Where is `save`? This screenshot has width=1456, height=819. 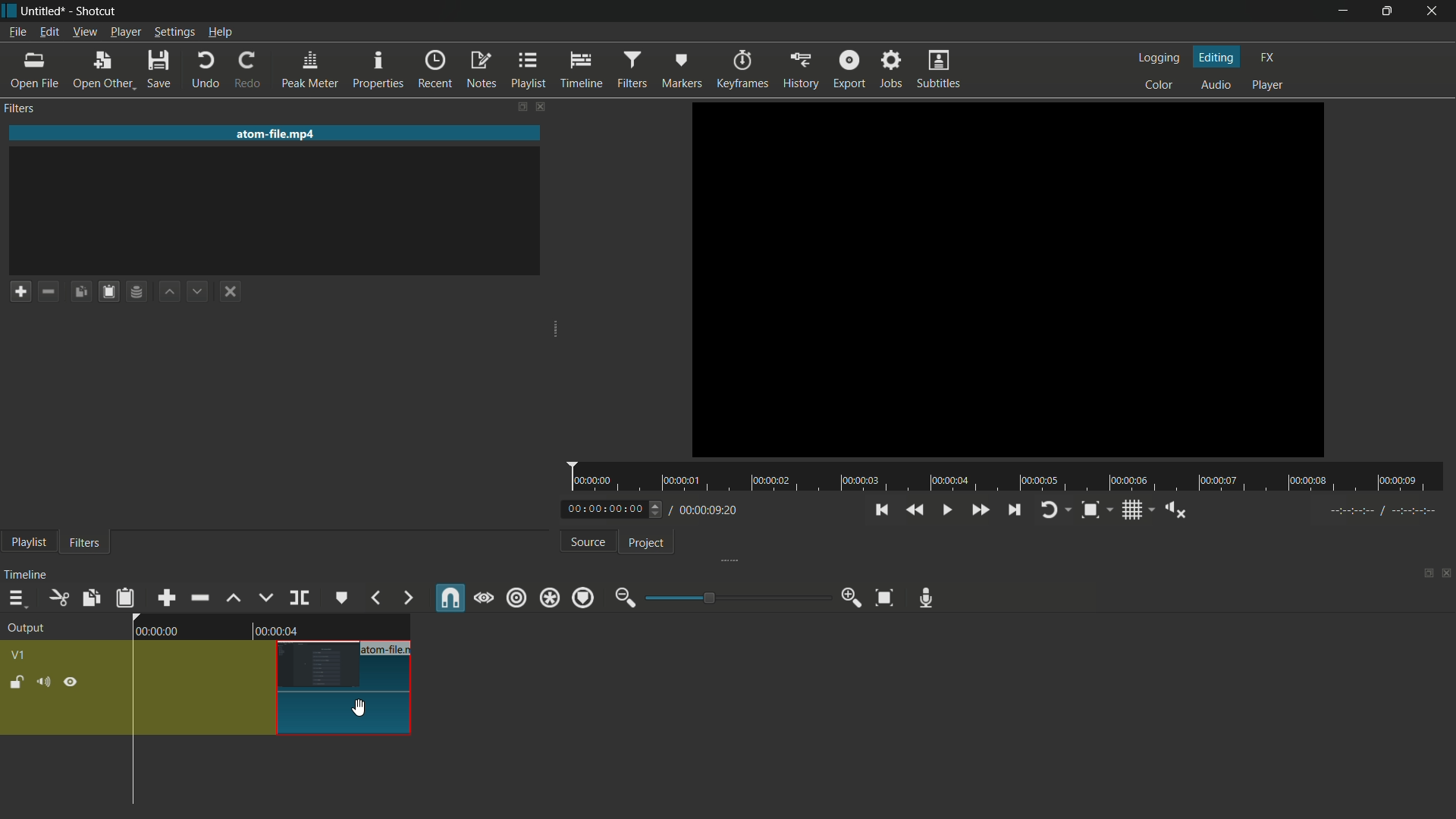
save is located at coordinates (161, 71).